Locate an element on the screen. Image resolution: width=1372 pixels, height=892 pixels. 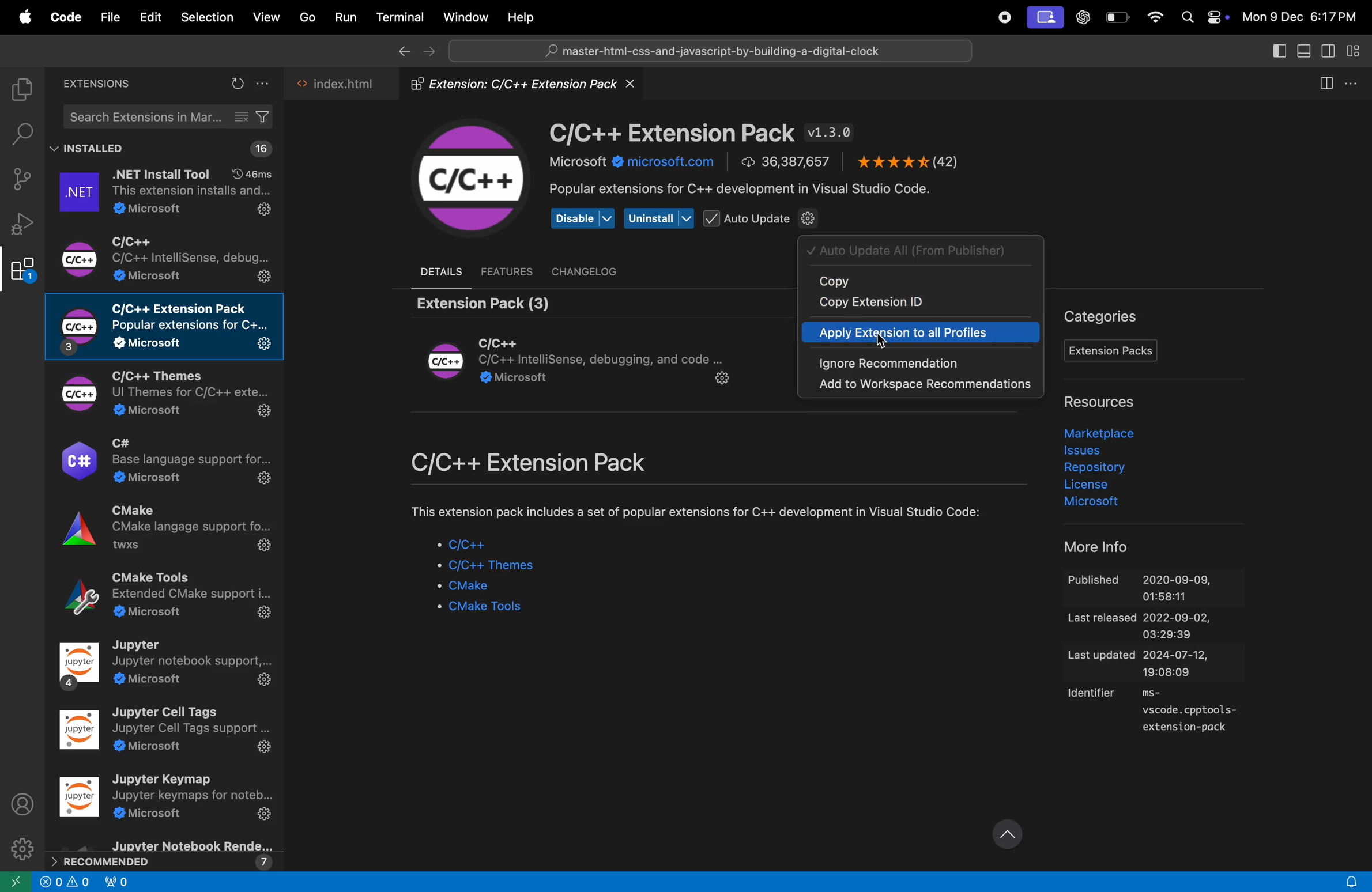
file is located at coordinates (108, 14).